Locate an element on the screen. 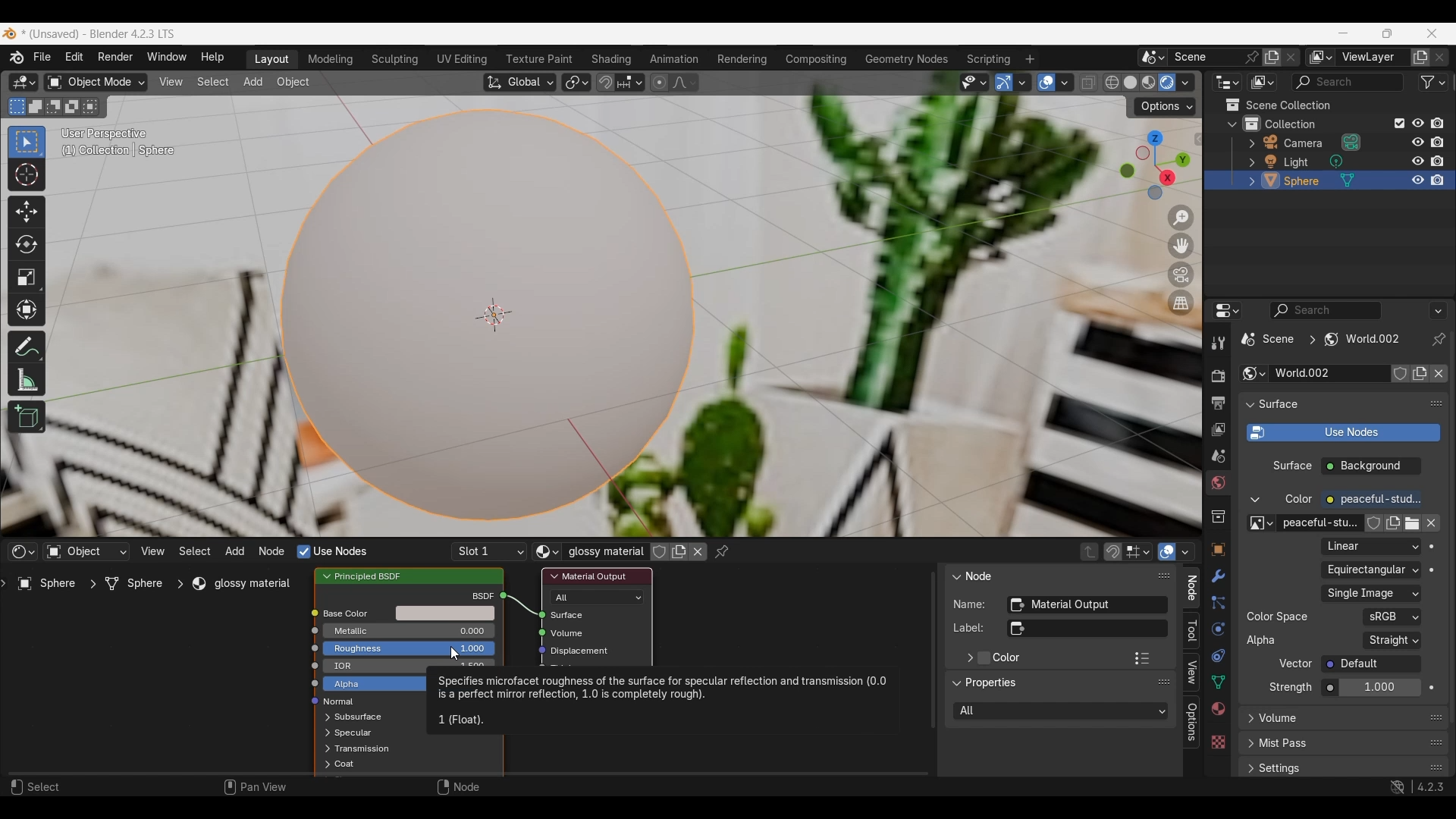  Options panel is located at coordinates (1192, 722).